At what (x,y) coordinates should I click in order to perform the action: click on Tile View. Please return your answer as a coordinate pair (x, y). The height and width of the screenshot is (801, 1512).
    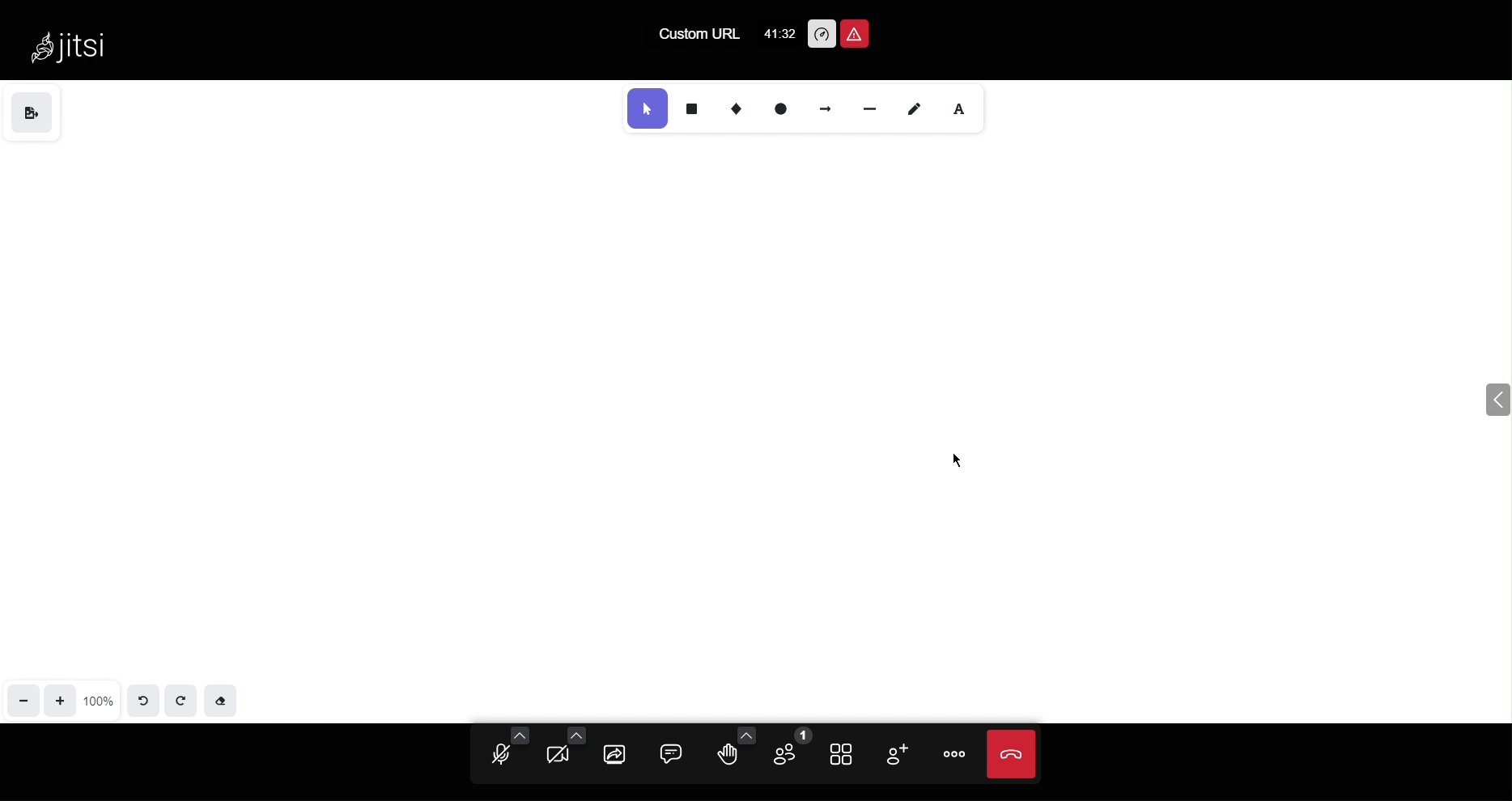
    Looking at the image, I should click on (847, 752).